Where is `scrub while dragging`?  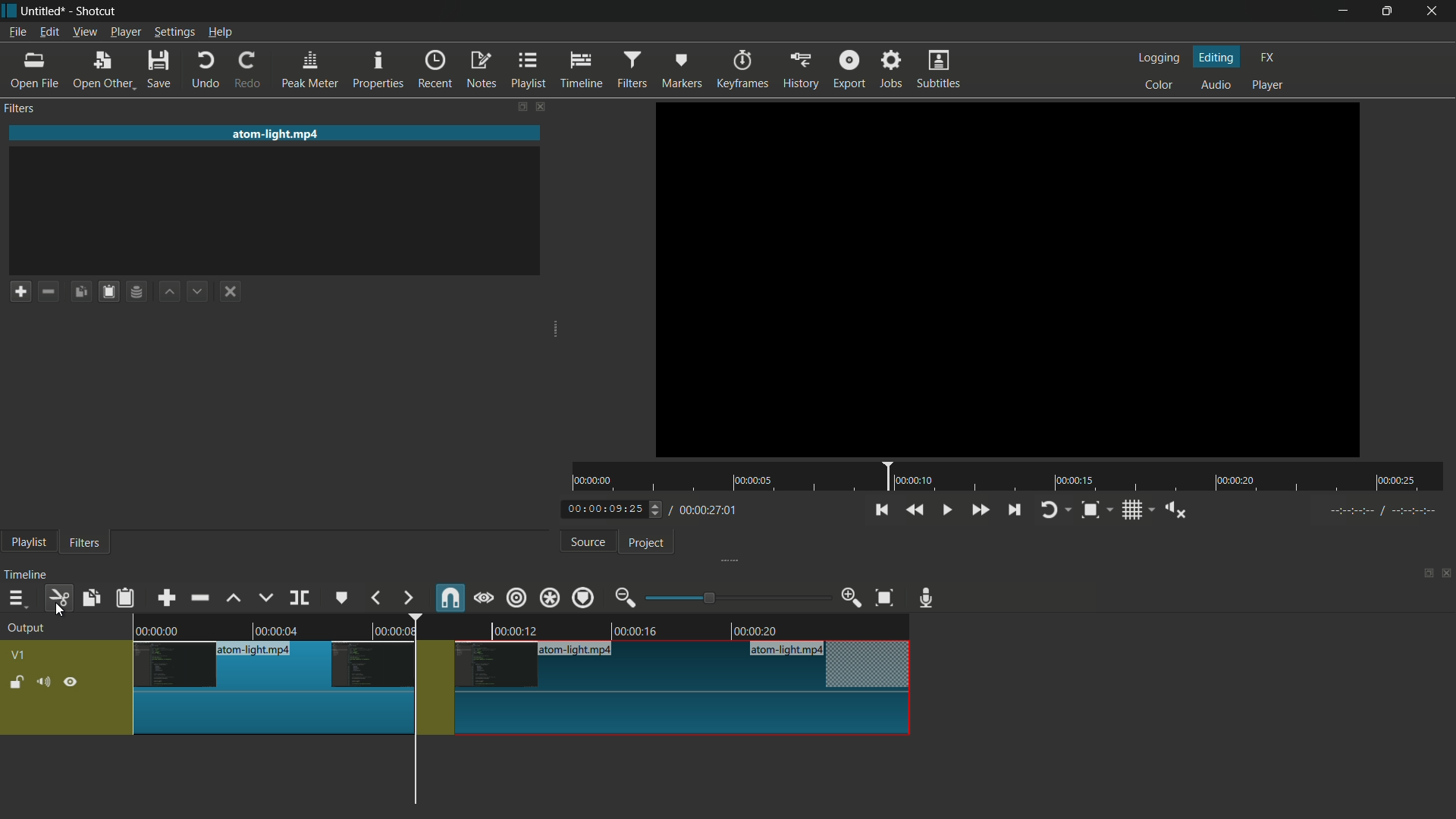
scrub while dragging is located at coordinates (484, 598).